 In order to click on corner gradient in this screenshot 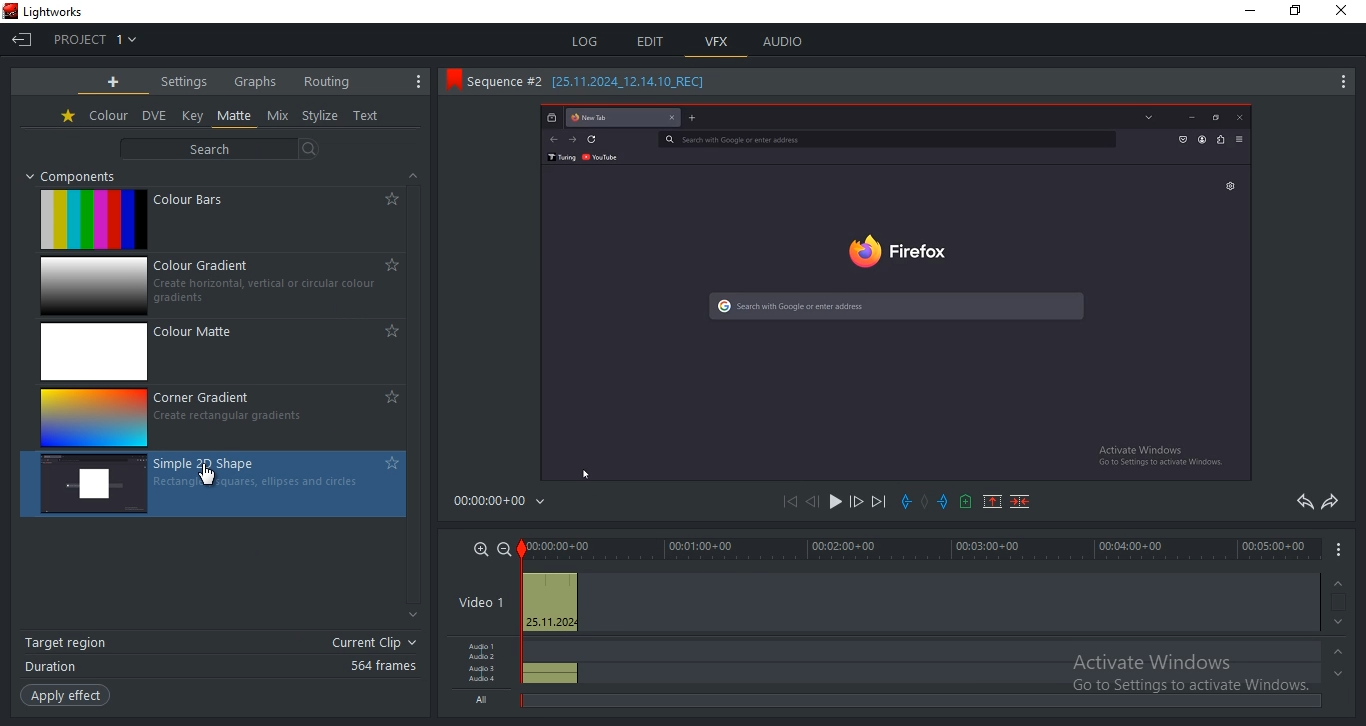, I will do `click(222, 416)`.